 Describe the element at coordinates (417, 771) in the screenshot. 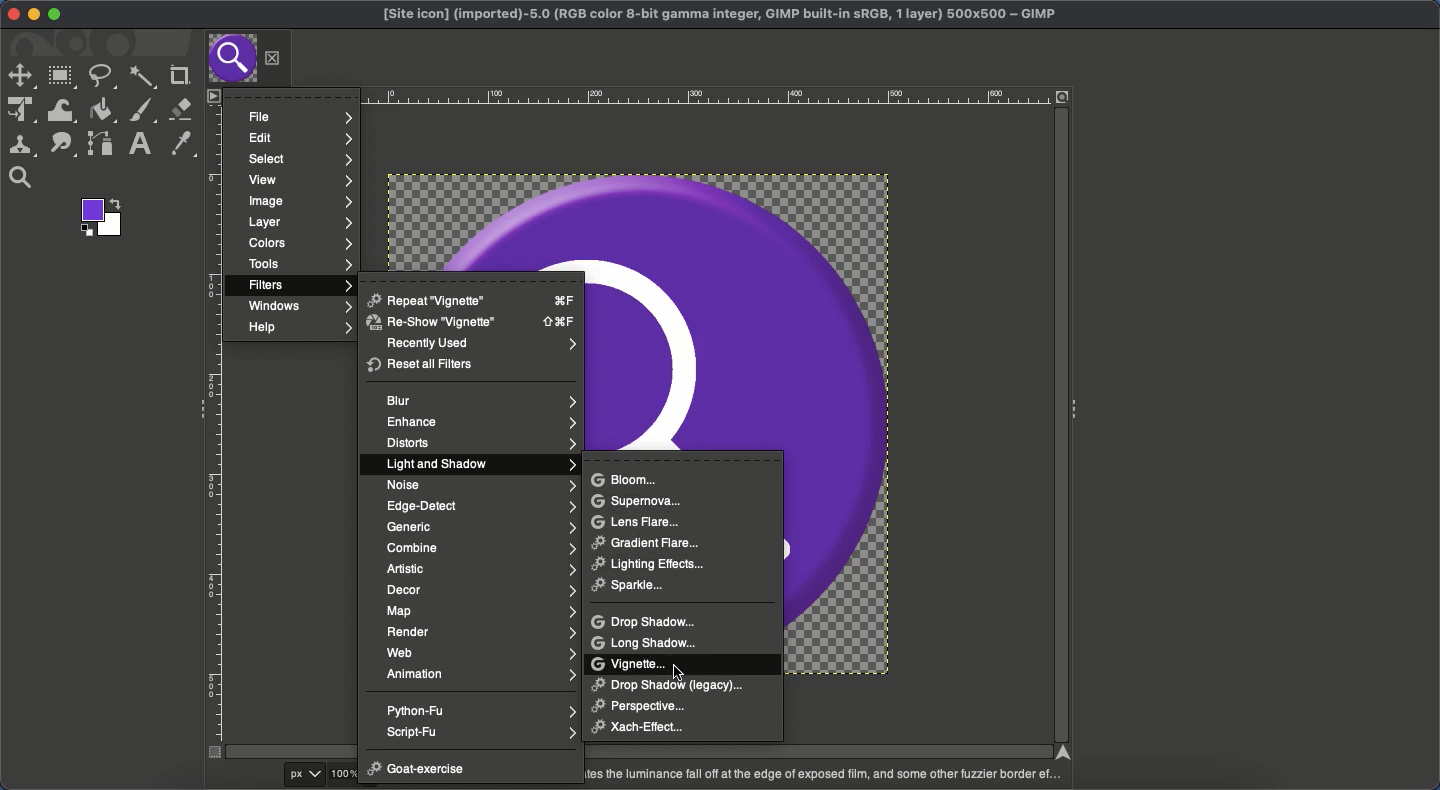

I see `Goat exercise` at that location.